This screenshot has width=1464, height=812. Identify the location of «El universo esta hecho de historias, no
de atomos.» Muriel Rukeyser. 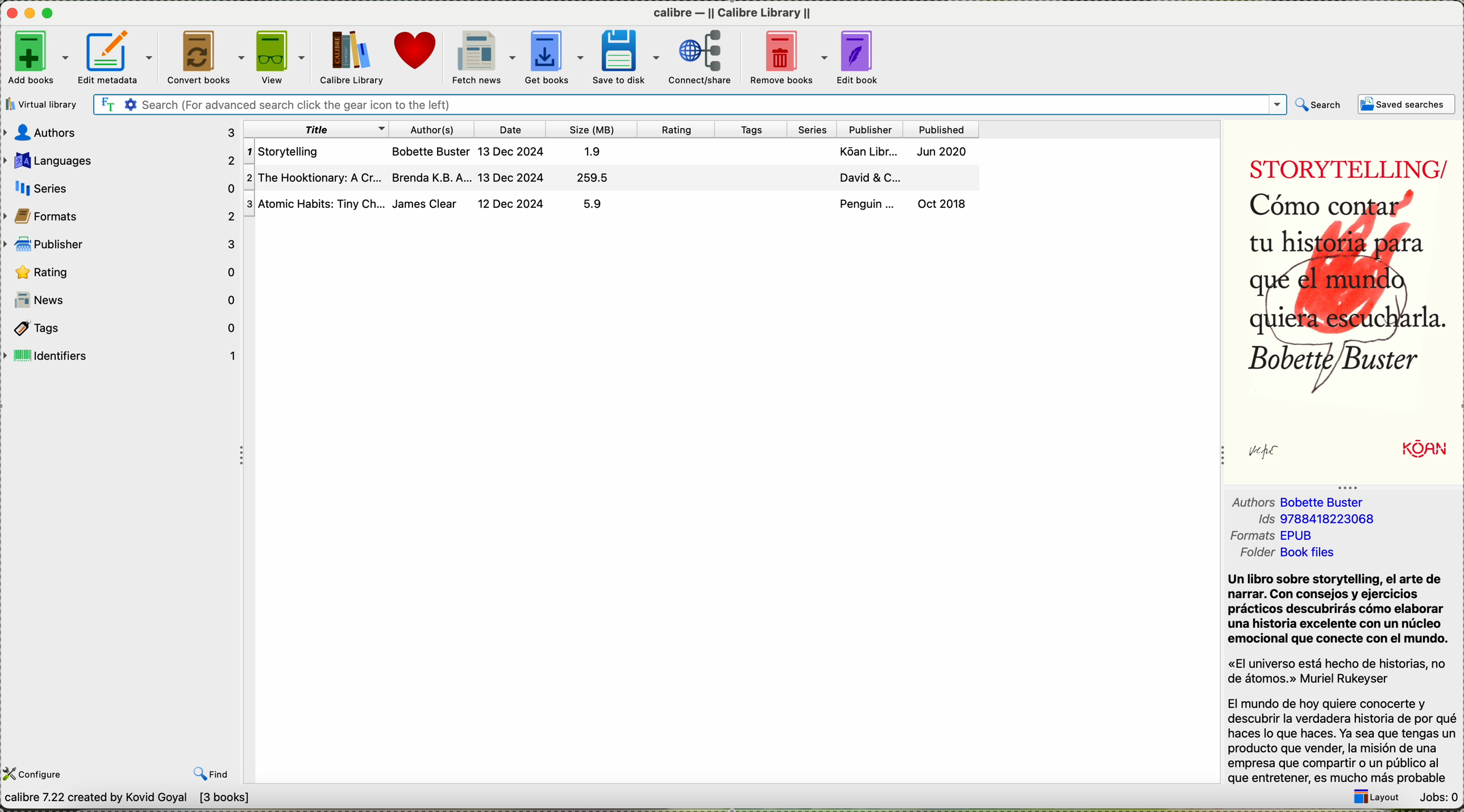
(1340, 672).